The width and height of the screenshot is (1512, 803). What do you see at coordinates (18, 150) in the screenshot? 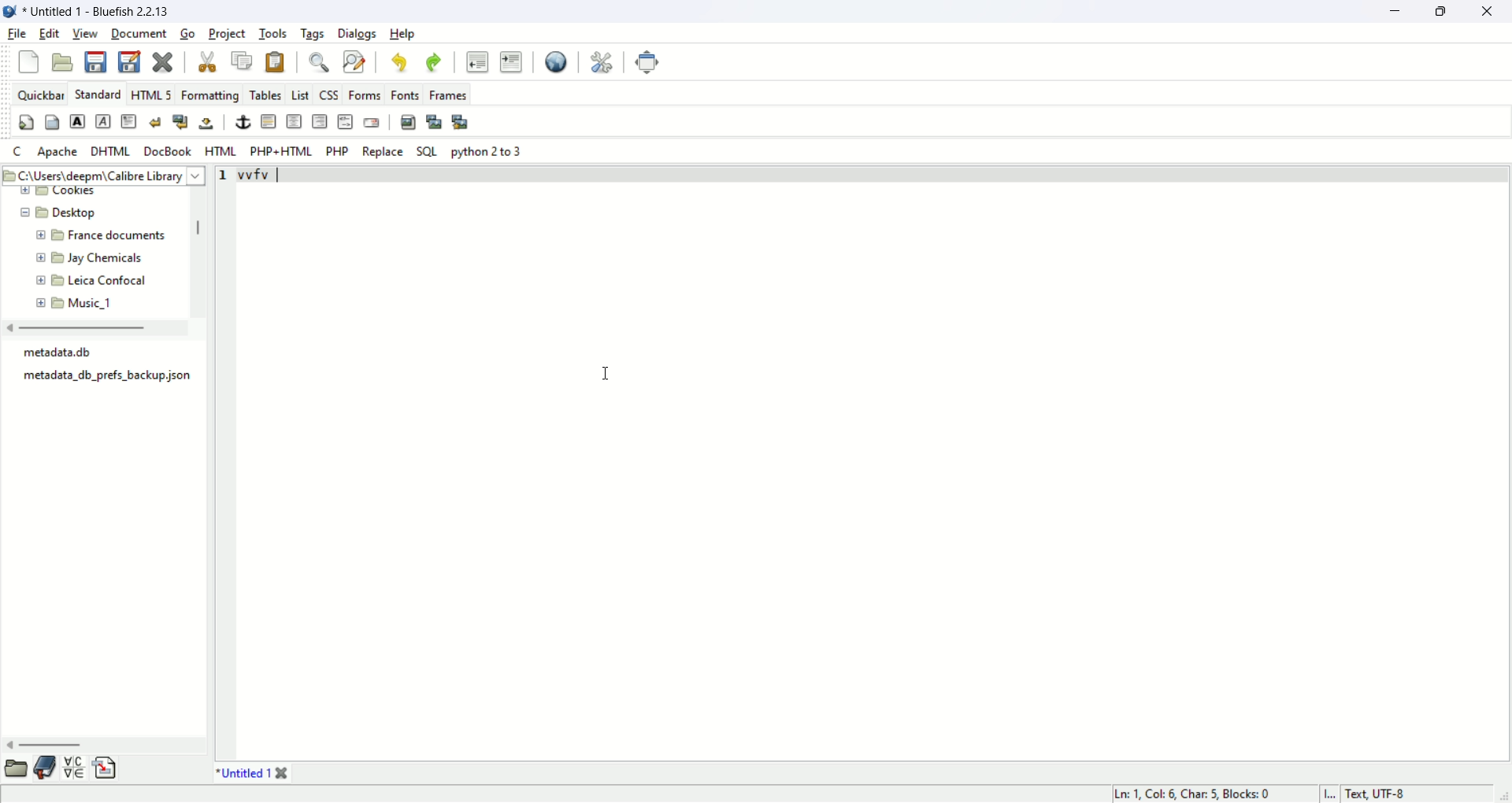
I see `c` at bounding box center [18, 150].